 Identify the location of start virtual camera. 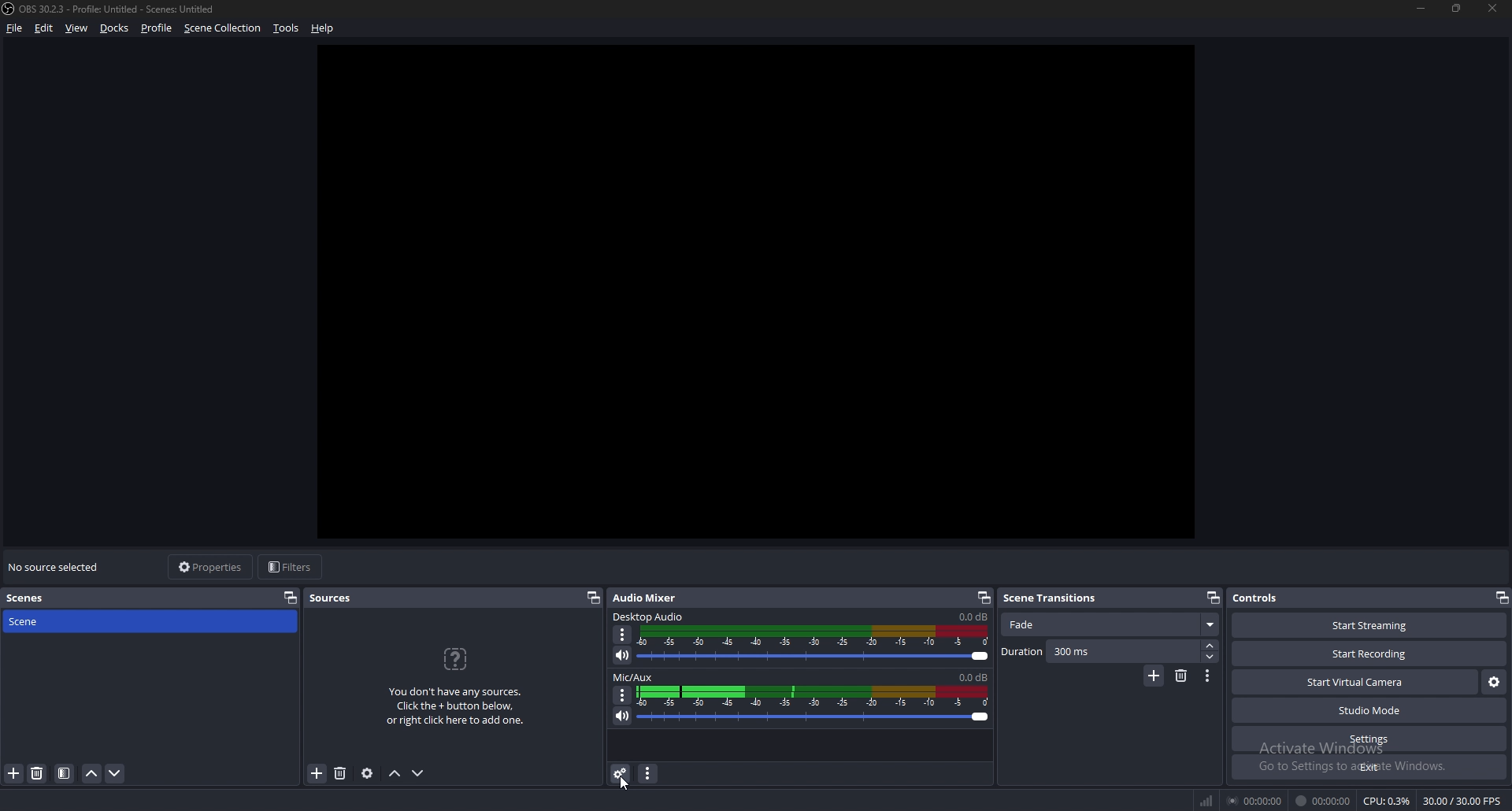
(1354, 683).